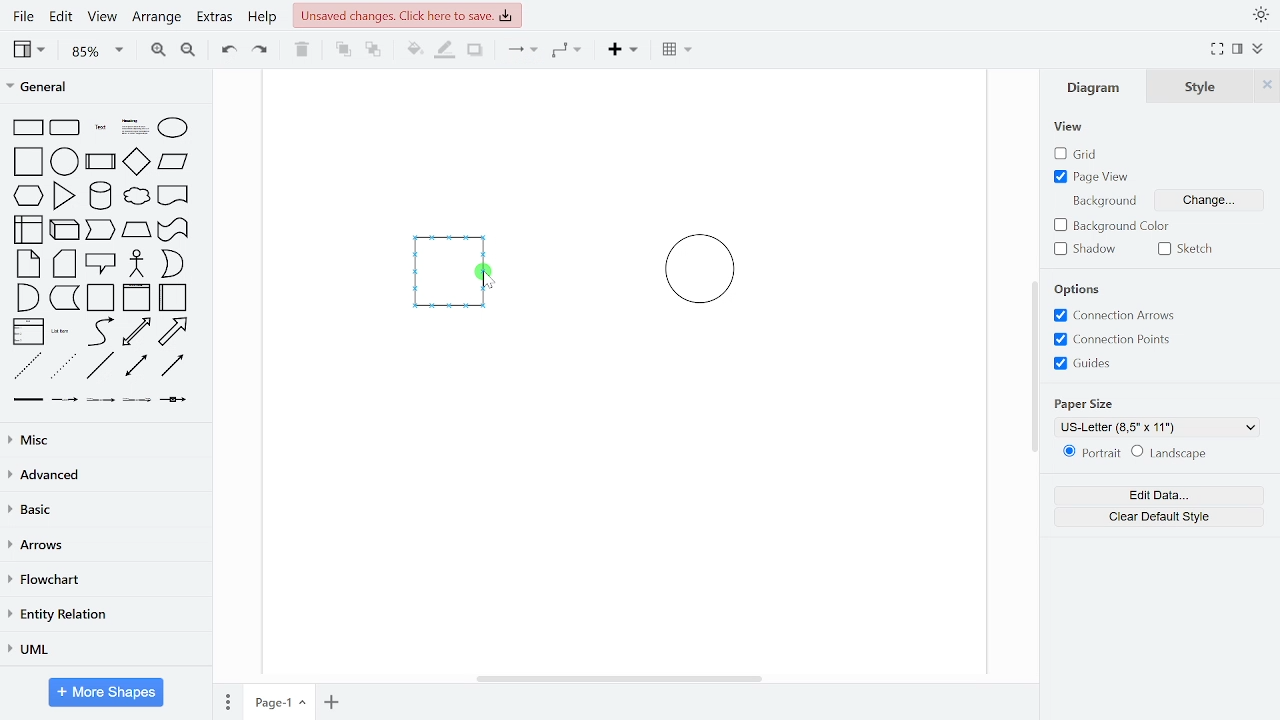  Describe the element at coordinates (1115, 227) in the screenshot. I see `background color` at that location.